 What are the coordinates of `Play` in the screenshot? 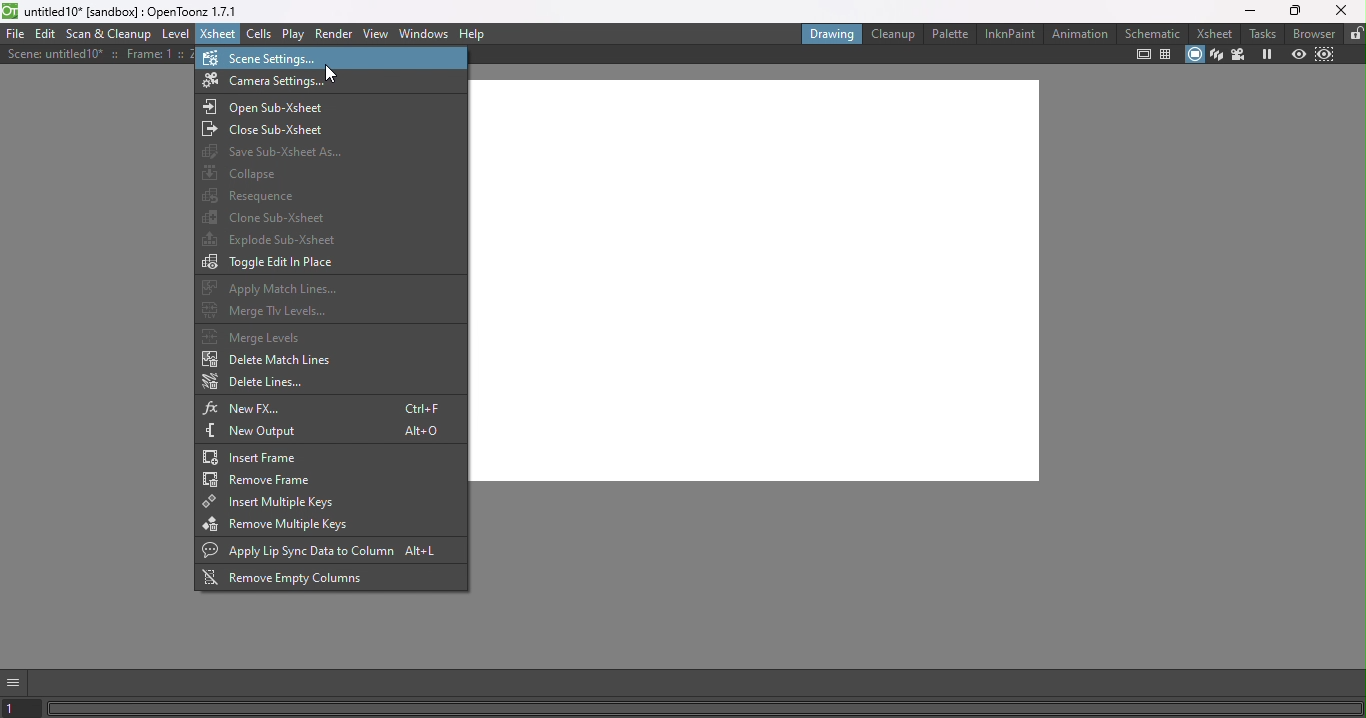 It's located at (294, 34).